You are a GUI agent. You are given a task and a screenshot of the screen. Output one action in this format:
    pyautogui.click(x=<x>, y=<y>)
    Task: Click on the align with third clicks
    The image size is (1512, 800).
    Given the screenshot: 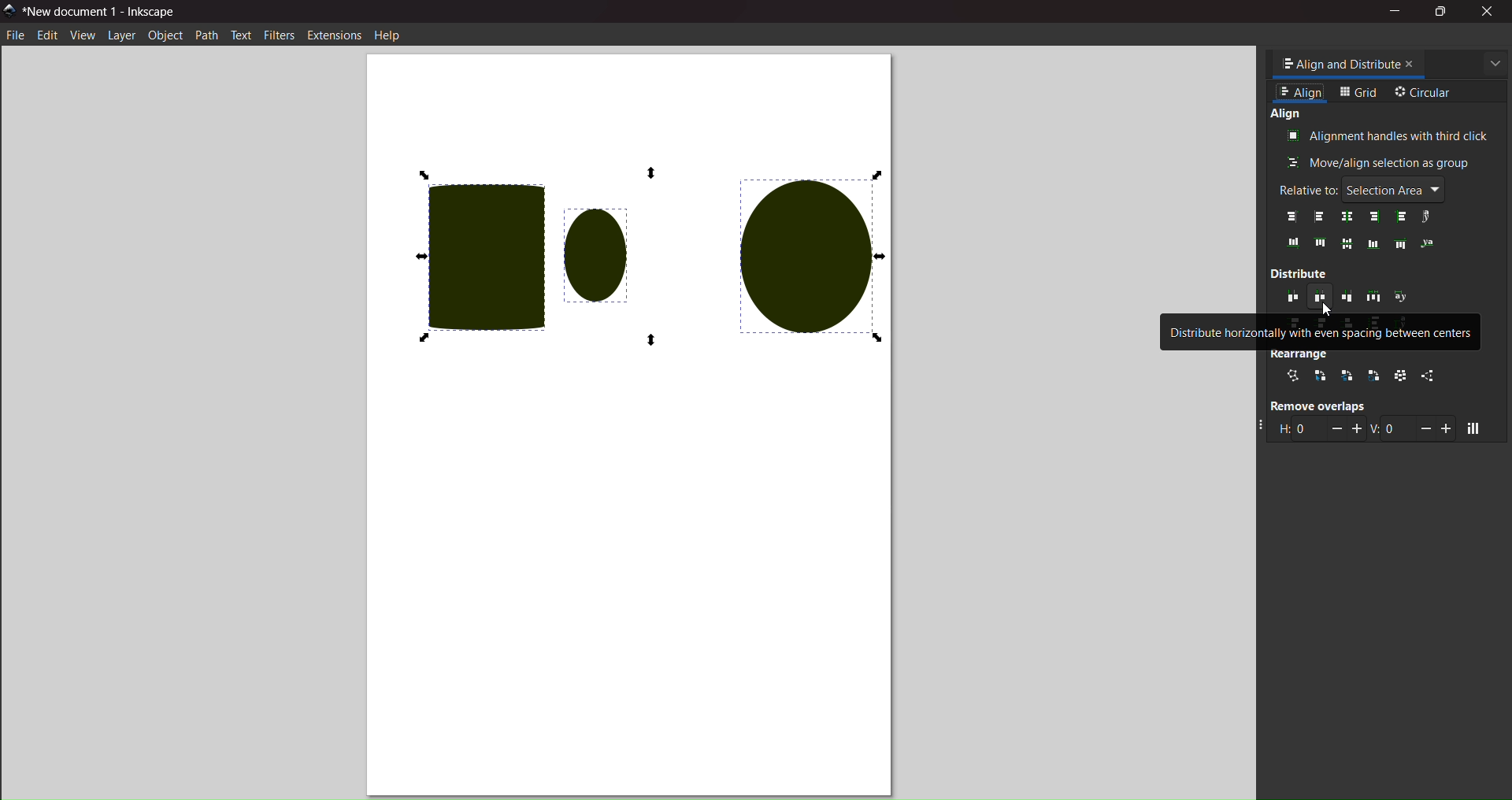 What is the action you would take?
    pyautogui.click(x=1393, y=136)
    